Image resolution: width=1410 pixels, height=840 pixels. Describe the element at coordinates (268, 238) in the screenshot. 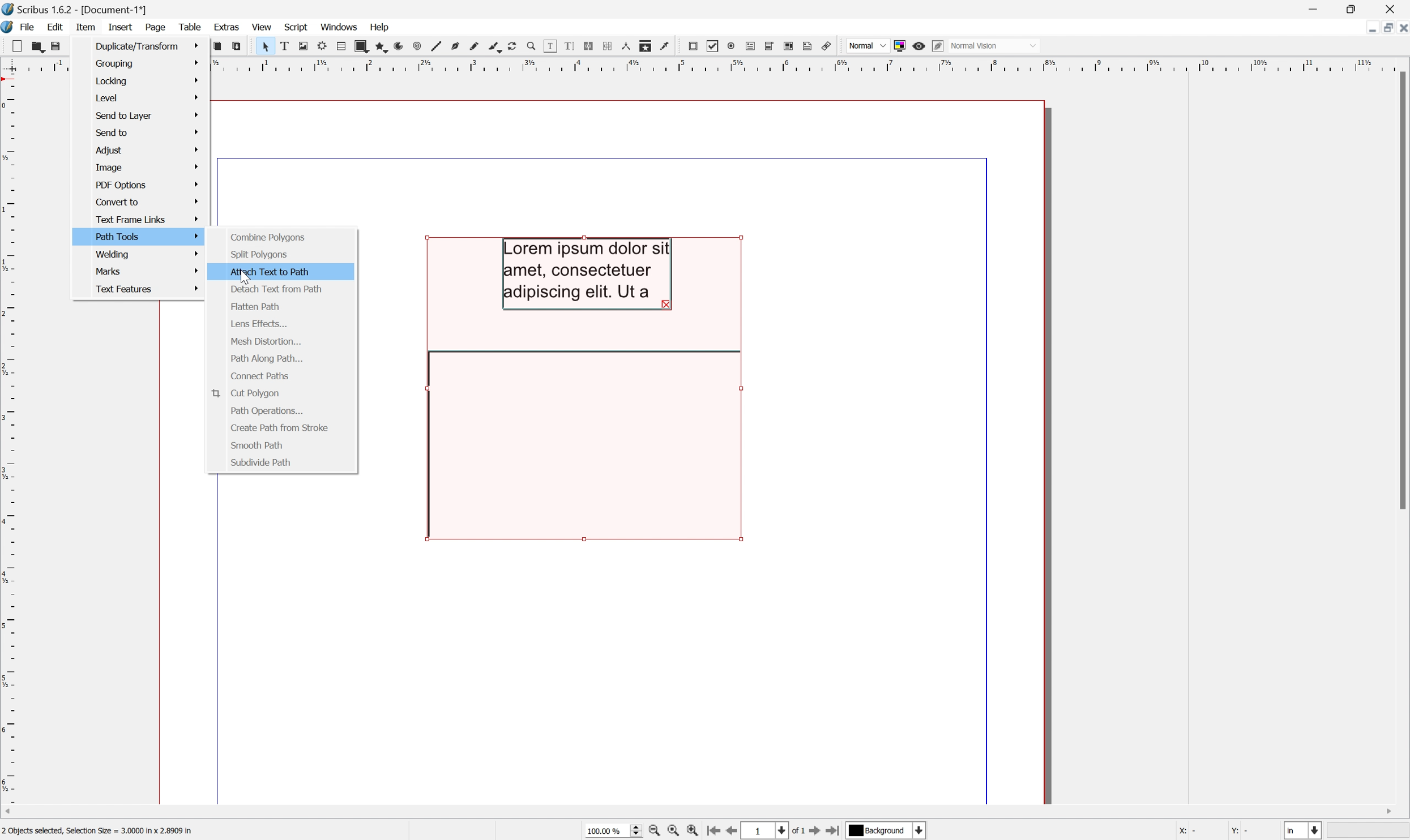

I see `Combine polygons` at that location.